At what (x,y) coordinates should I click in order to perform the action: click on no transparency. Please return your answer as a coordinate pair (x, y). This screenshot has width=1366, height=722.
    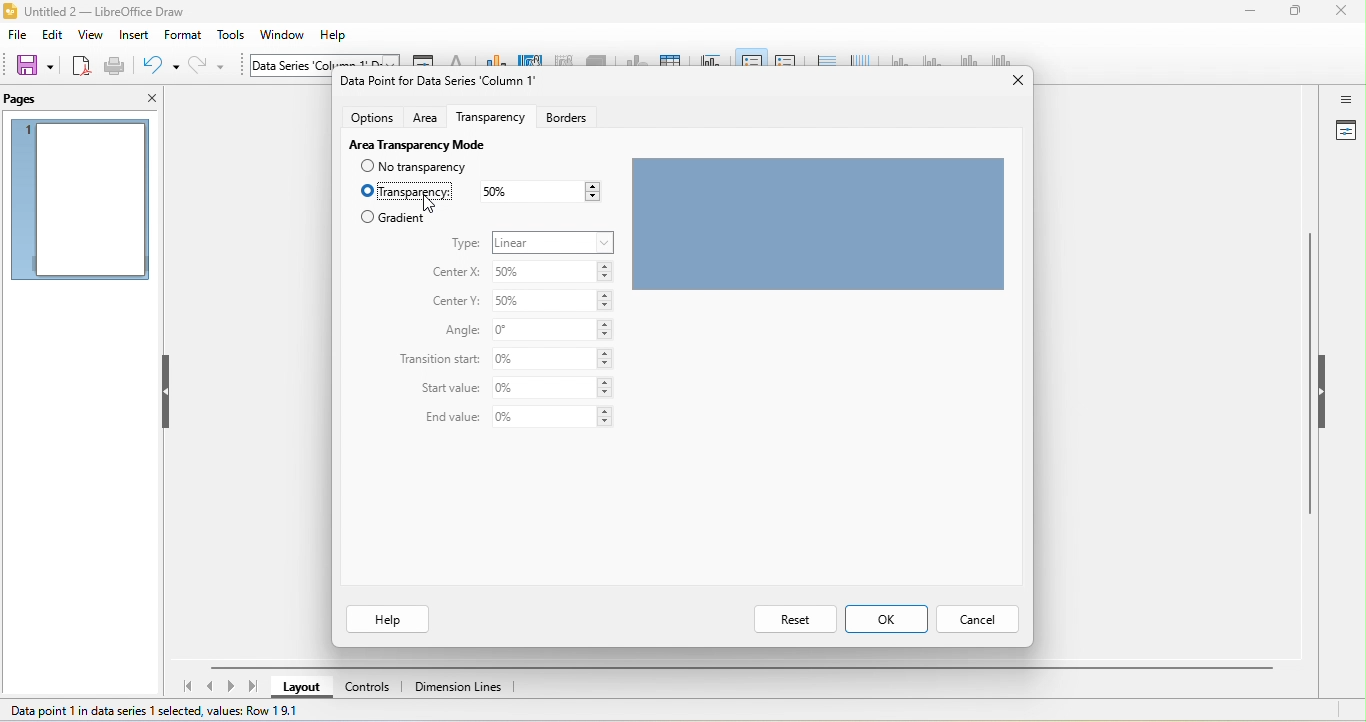
    Looking at the image, I should click on (426, 167).